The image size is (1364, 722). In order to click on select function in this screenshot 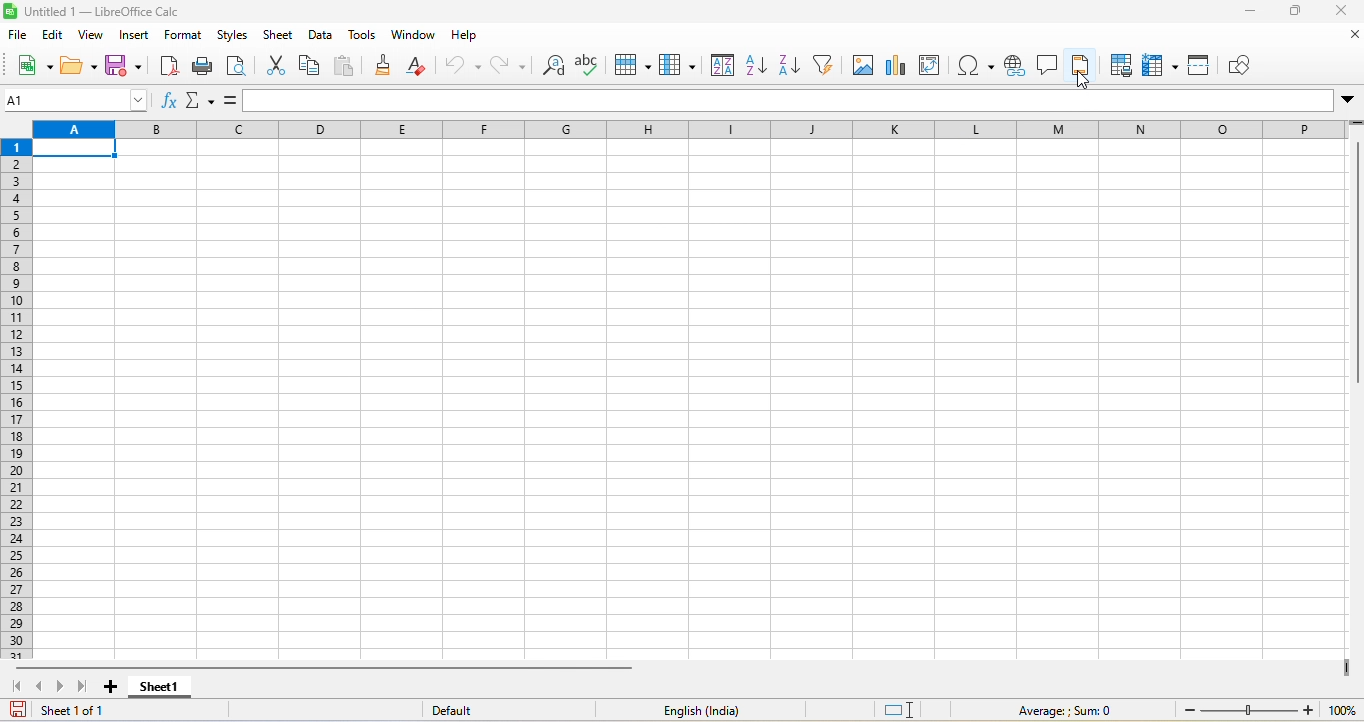, I will do `click(203, 101)`.